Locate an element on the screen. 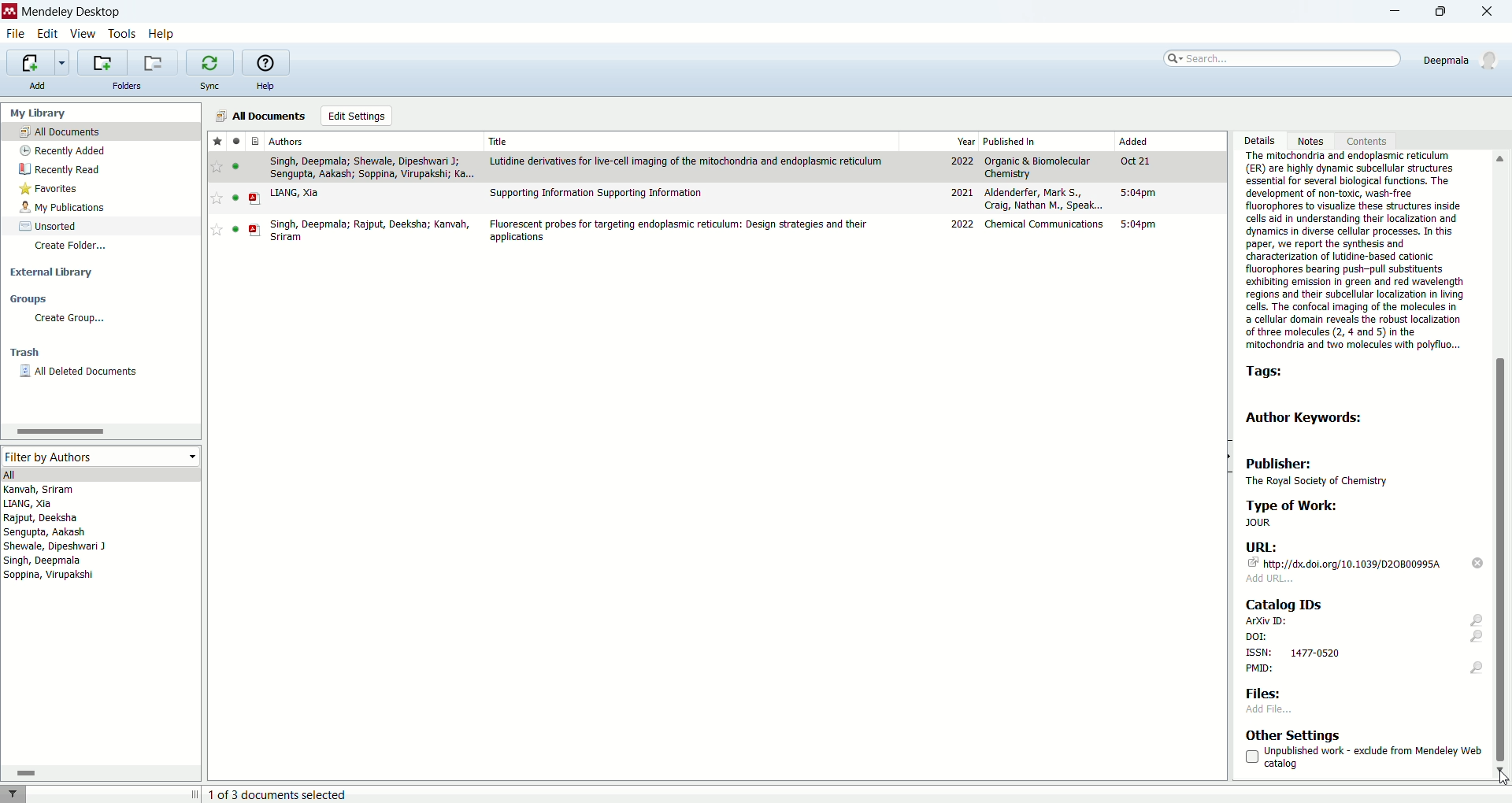 Image resolution: width=1512 pixels, height=803 pixels. chemical communications is located at coordinates (1046, 224).